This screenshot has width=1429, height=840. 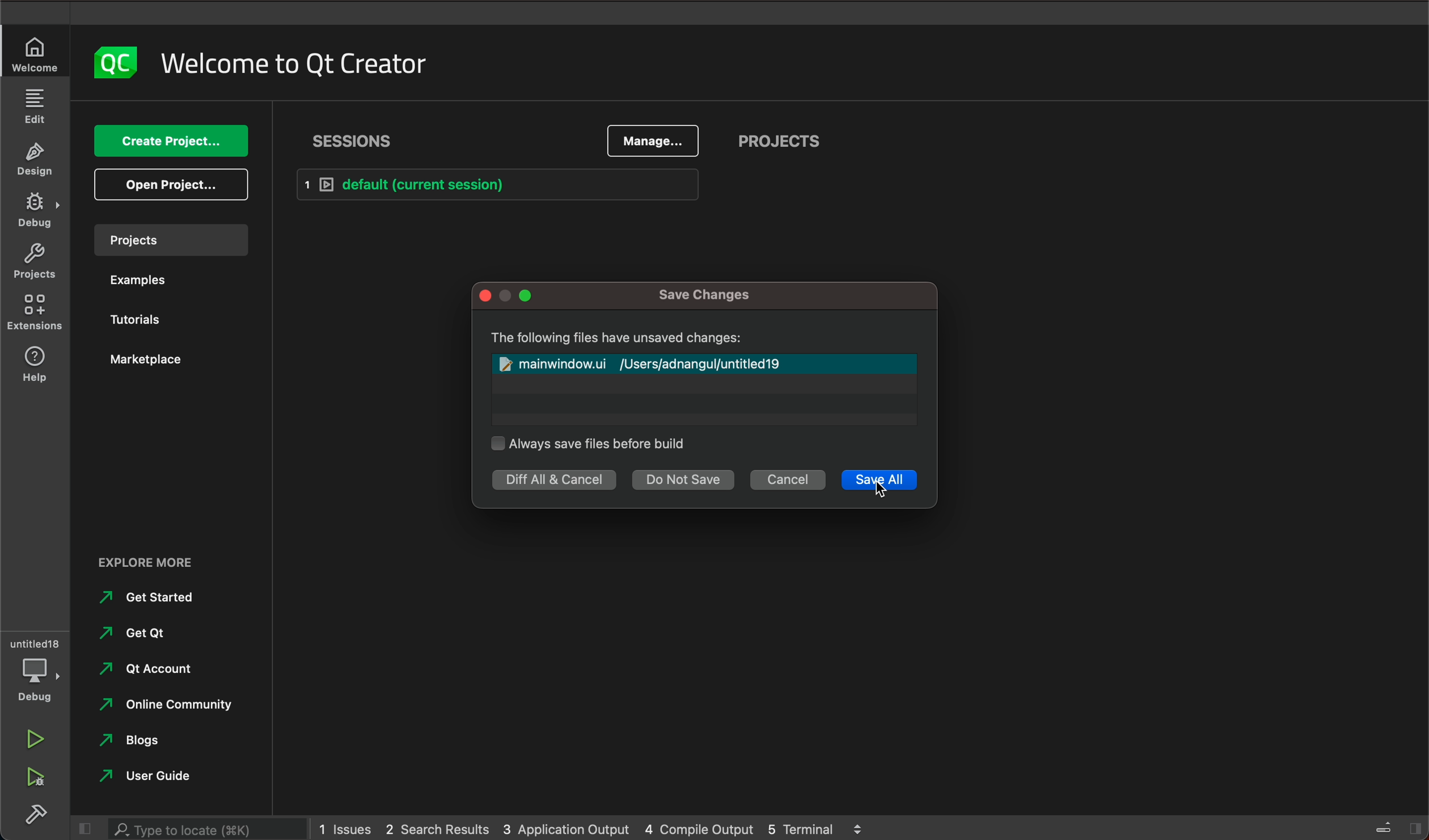 What do you see at coordinates (166, 705) in the screenshot?
I see `Online Community` at bounding box center [166, 705].